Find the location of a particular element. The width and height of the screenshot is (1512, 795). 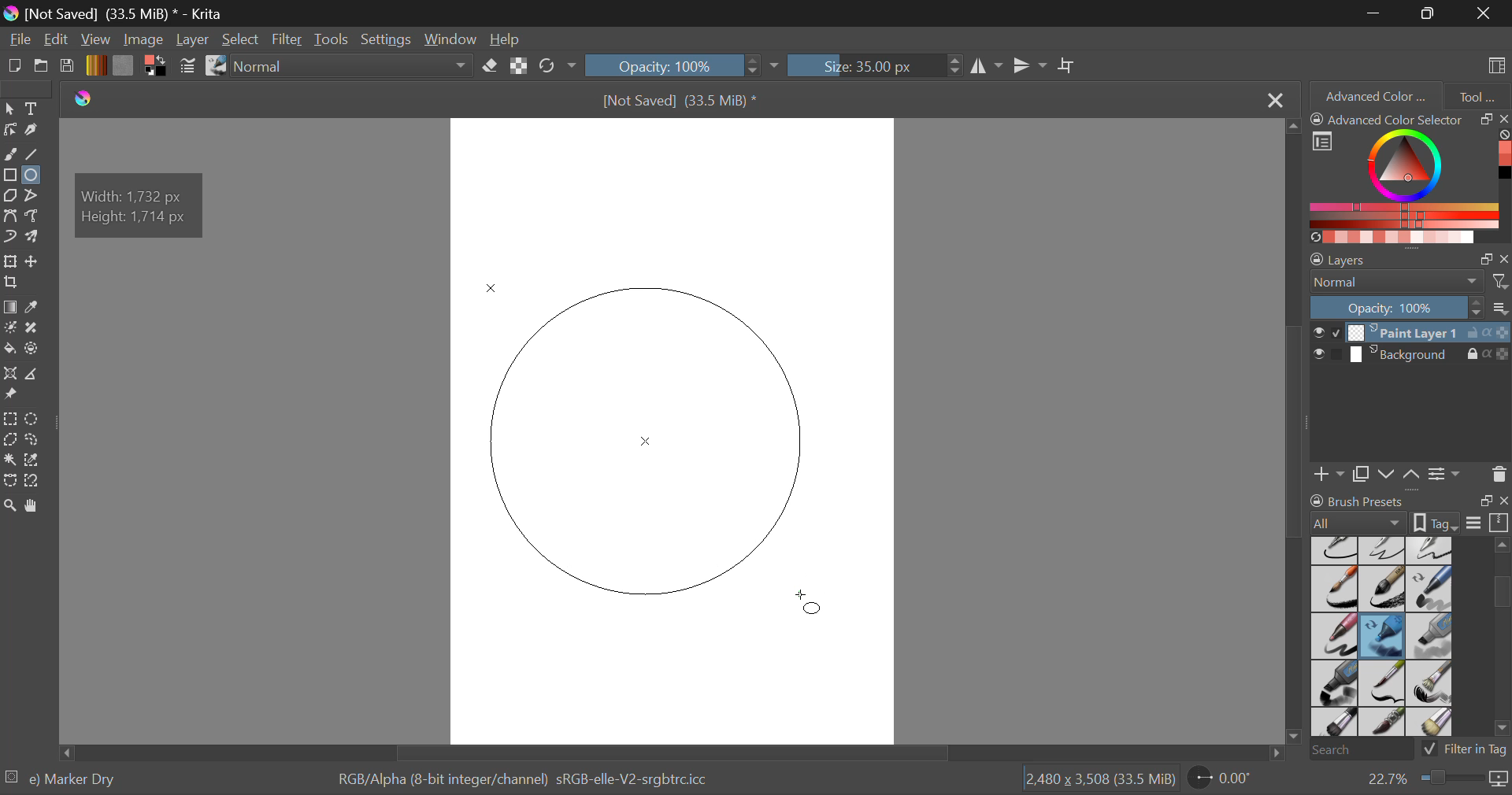

Color Display Info is located at coordinates (528, 782).